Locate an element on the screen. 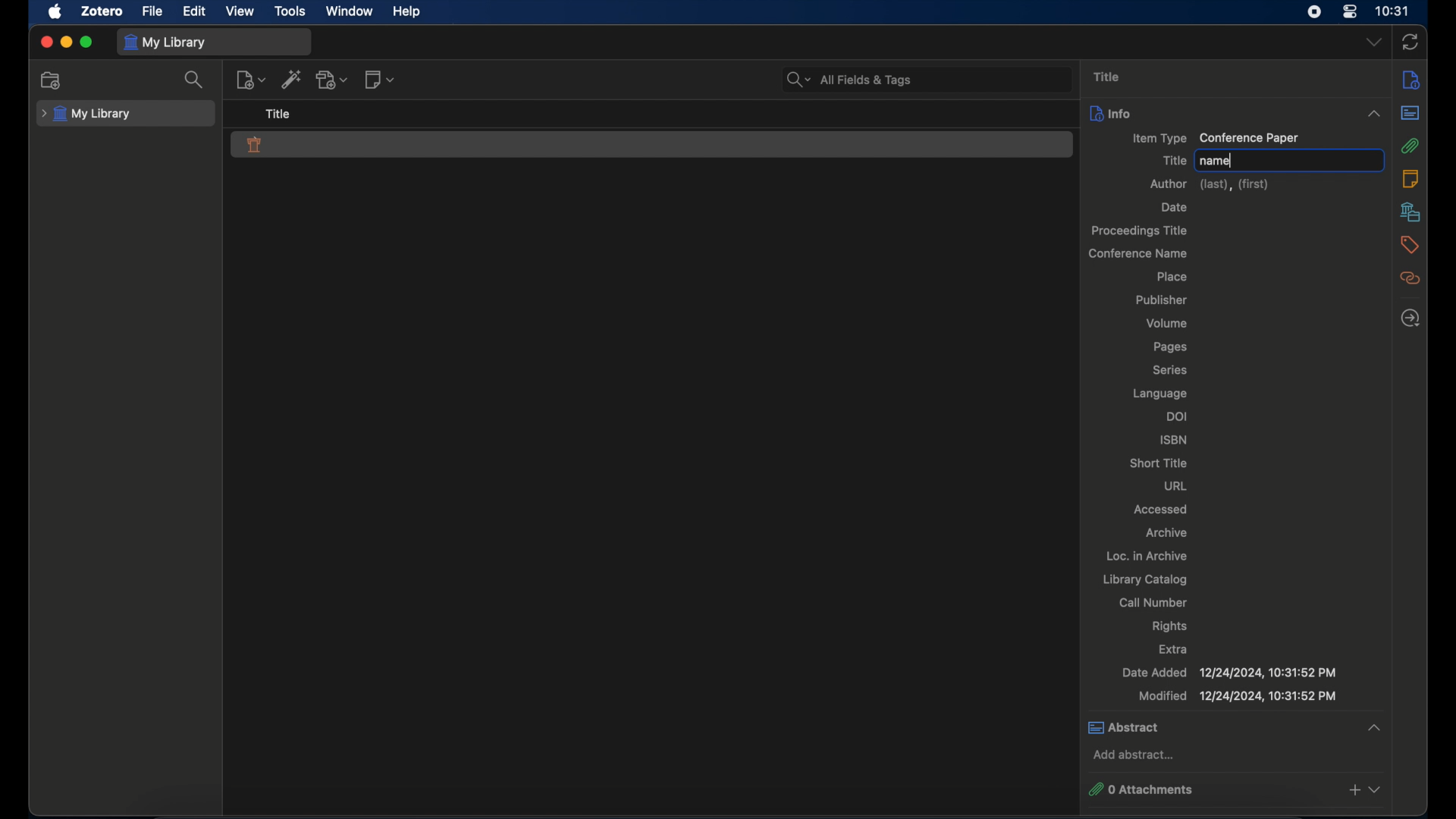  abstract is located at coordinates (1237, 727).